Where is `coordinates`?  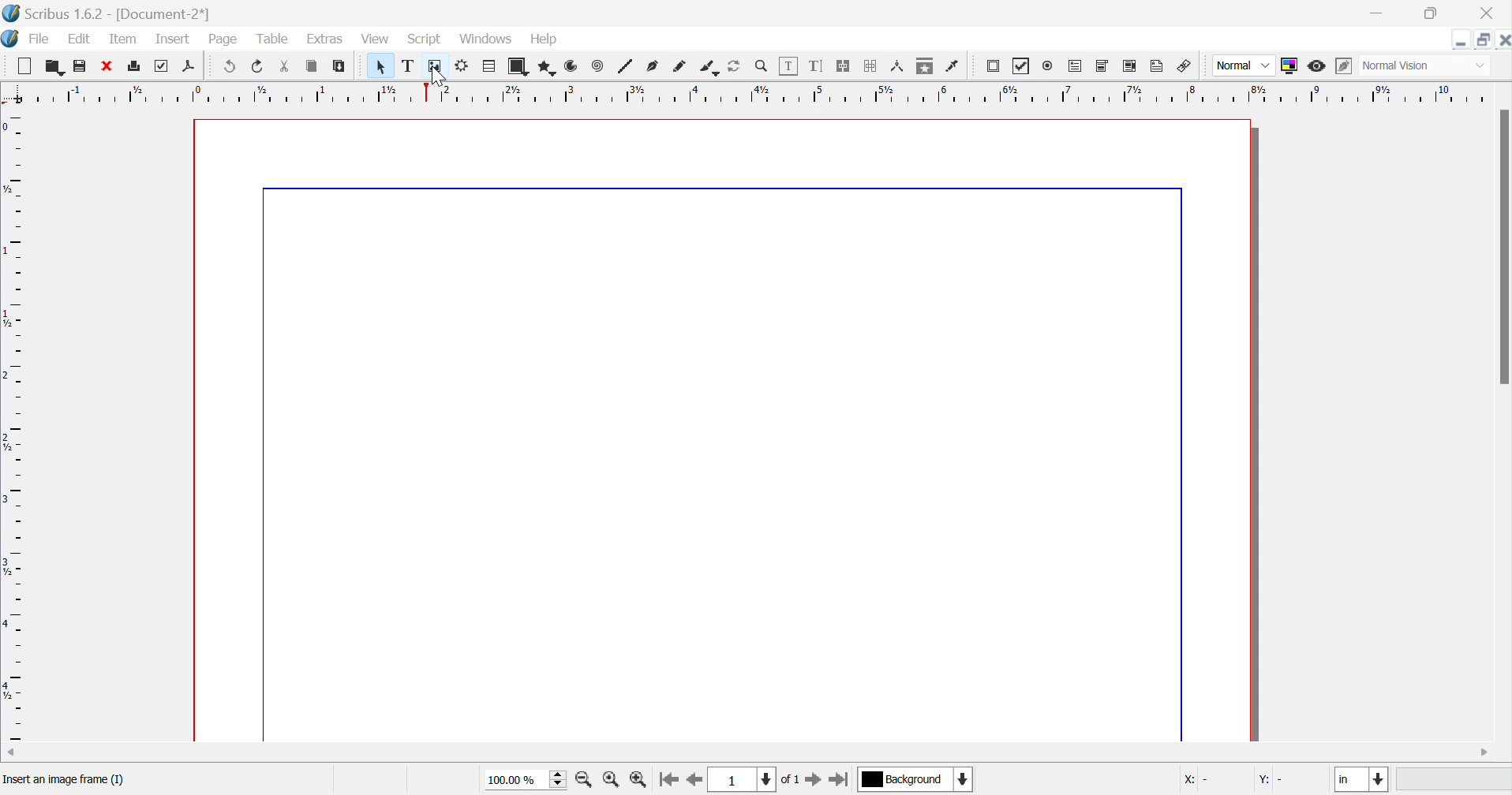
coordinates is located at coordinates (1236, 780).